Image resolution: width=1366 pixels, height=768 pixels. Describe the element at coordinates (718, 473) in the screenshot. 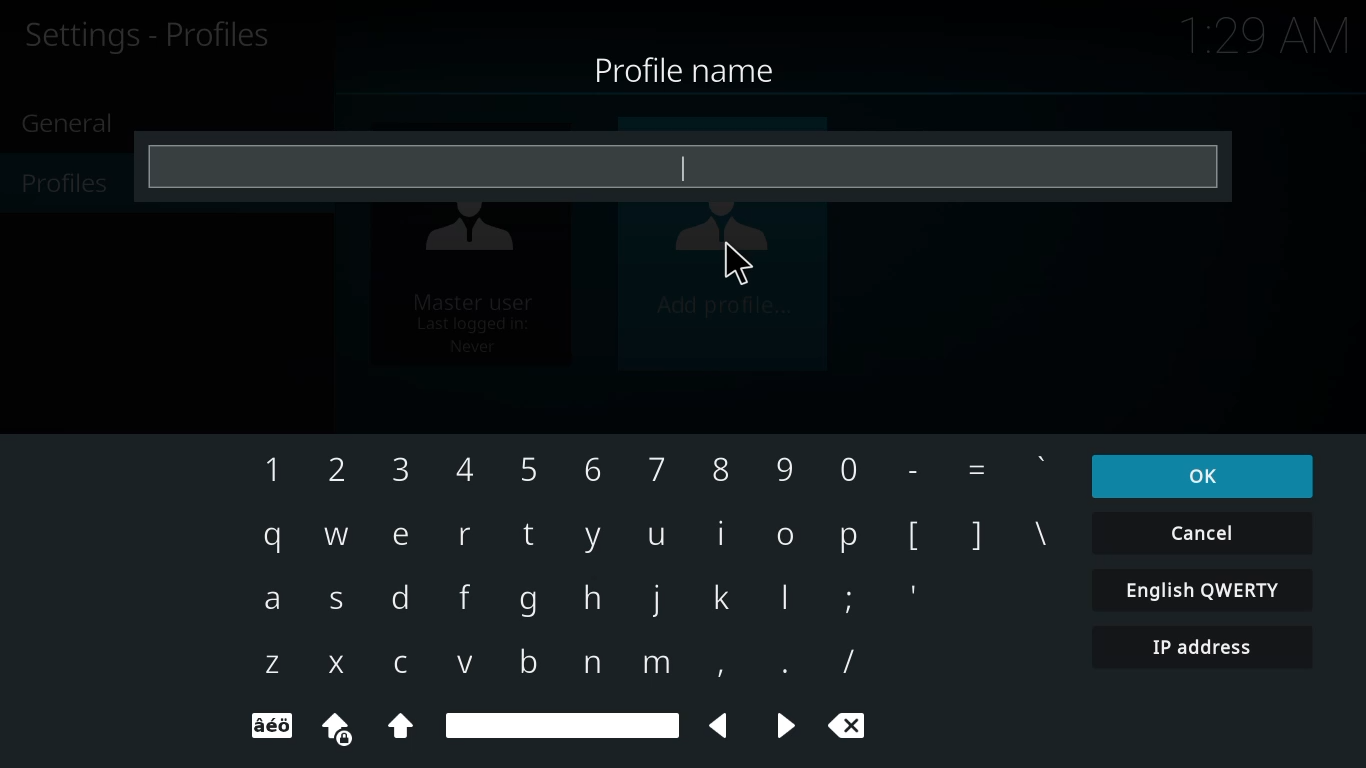

I see `8` at that location.